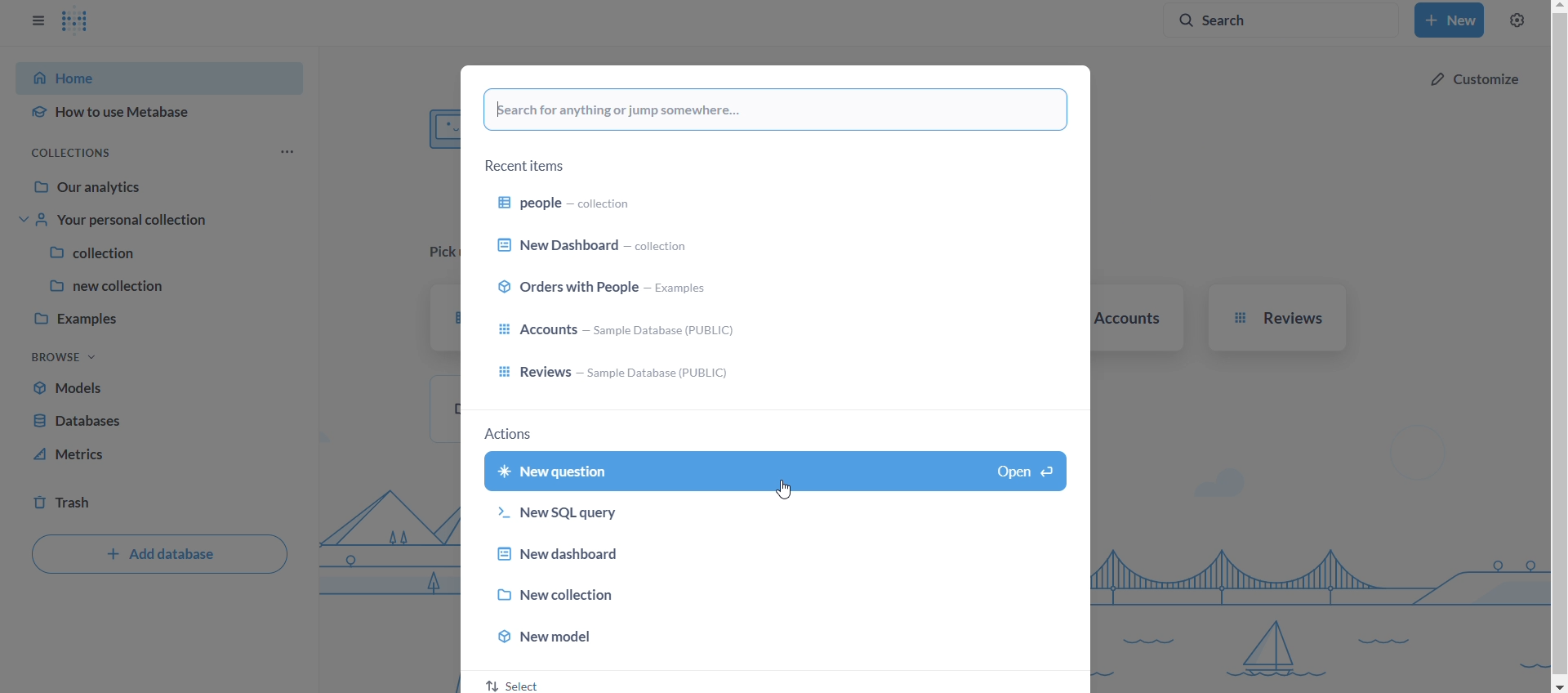 This screenshot has width=1568, height=693. What do you see at coordinates (623, 286) in the screenshot?
I see `orders with people` at bounding box center [623, 286].